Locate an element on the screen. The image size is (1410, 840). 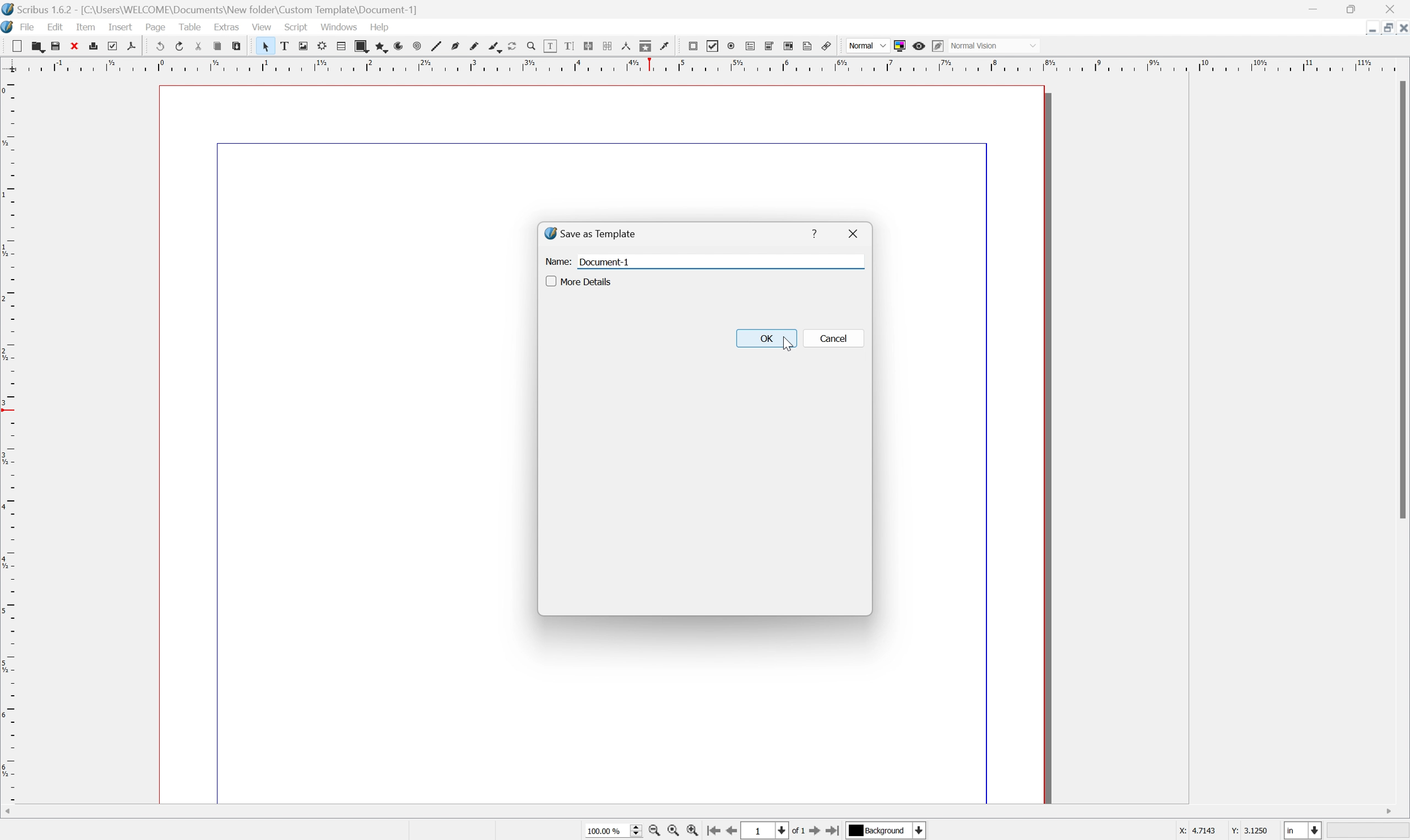
PDF combo box is located at coordinates (768, 46).